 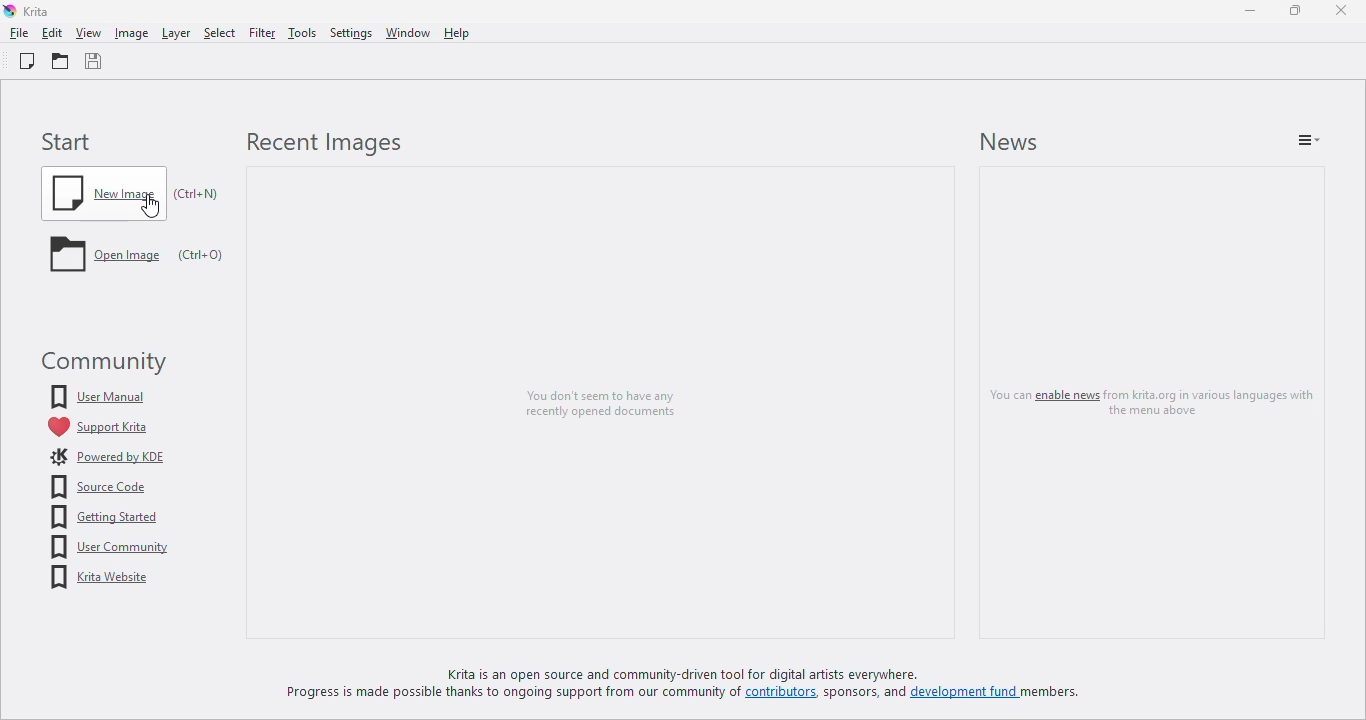 I want to click on layer, so click(x=175, y=33).